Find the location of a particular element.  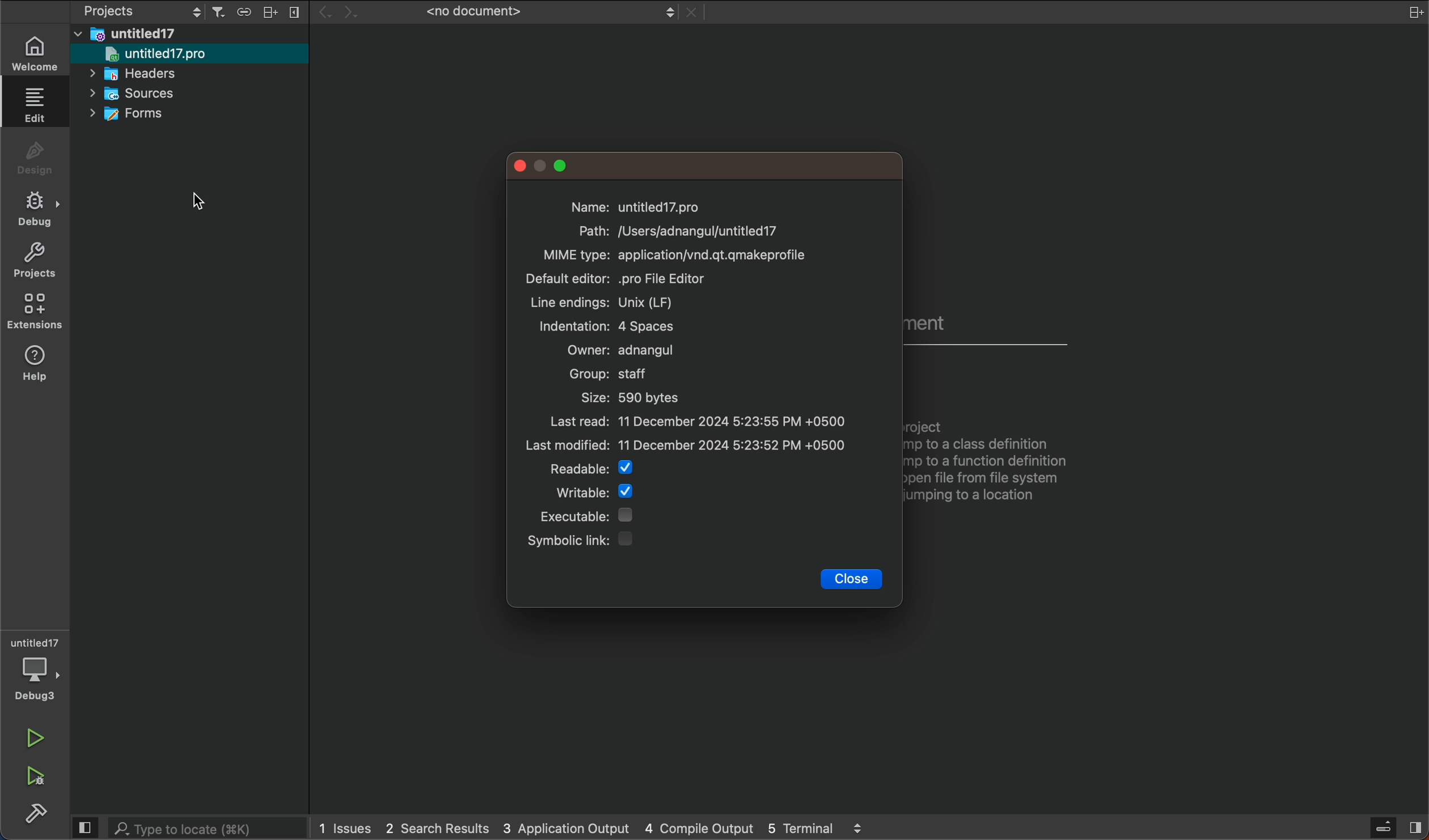

design is located at coordinates (40, 156).